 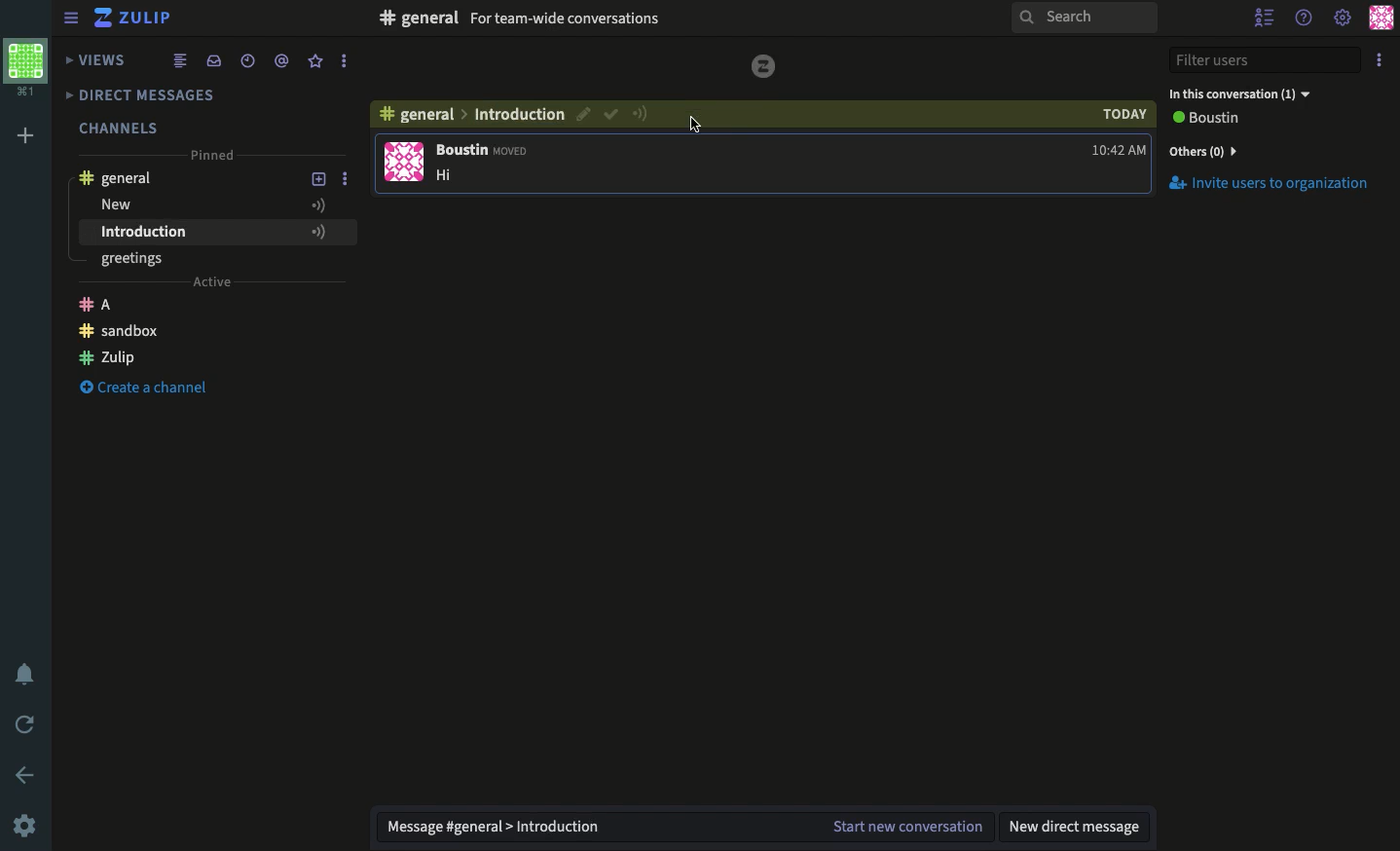 I want to click on View all users, so click(x=1220, y=120).